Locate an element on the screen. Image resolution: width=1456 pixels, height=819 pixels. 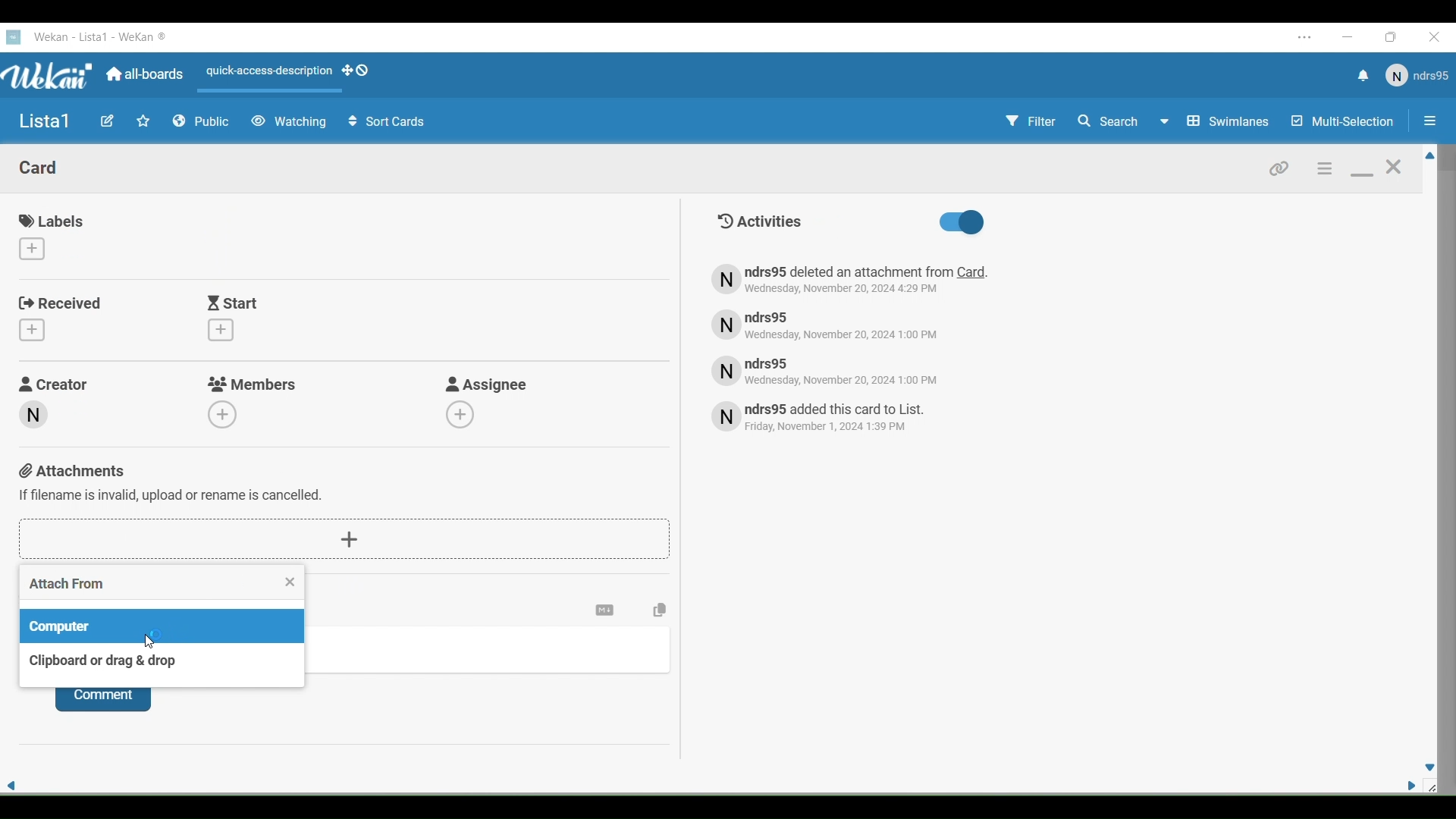
Minimize is located at coordinates (1362, 175).